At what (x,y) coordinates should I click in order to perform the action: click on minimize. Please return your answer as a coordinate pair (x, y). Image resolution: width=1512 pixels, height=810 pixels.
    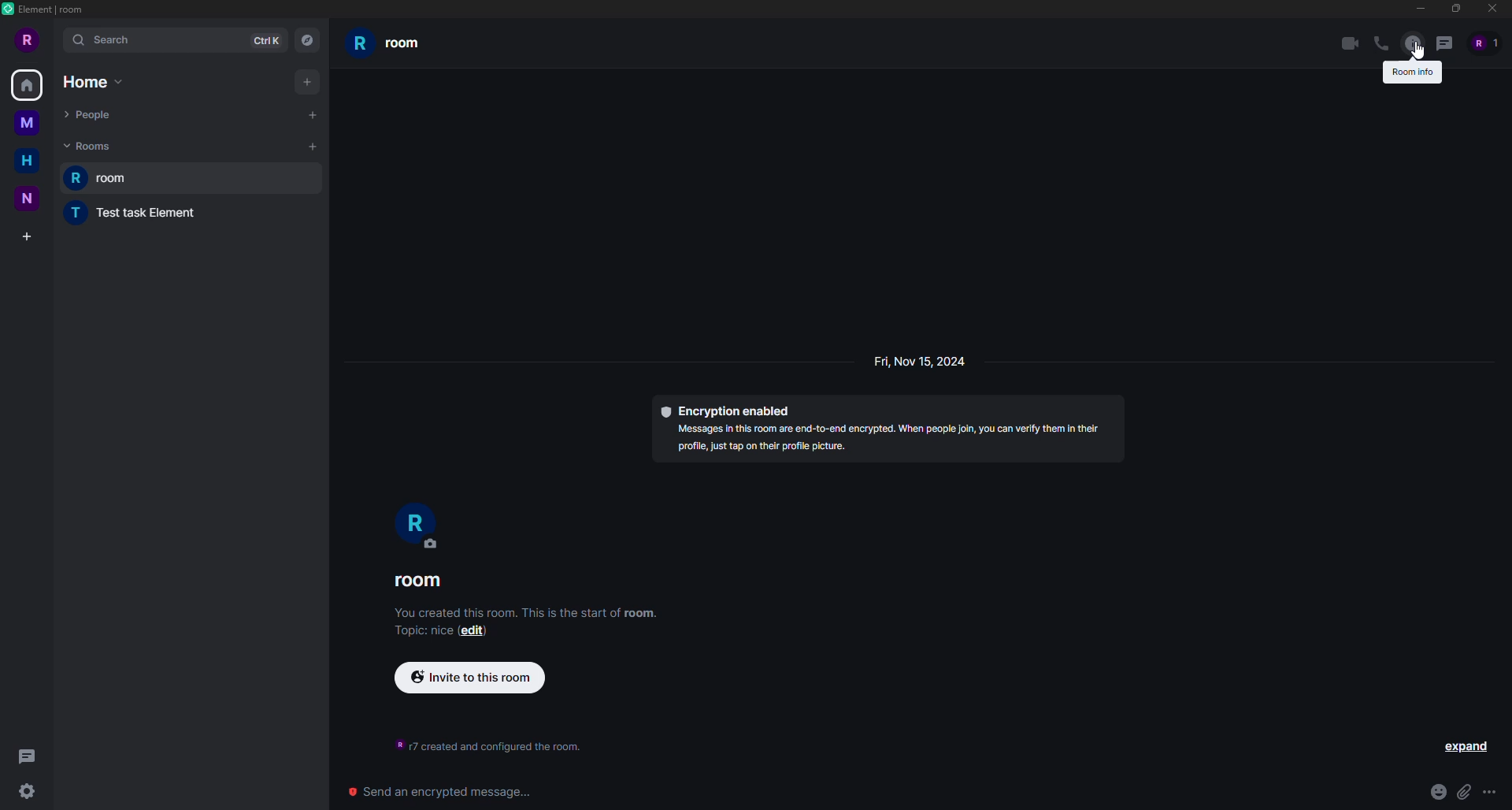
    Looking at the image, I should click on (1421, 9).